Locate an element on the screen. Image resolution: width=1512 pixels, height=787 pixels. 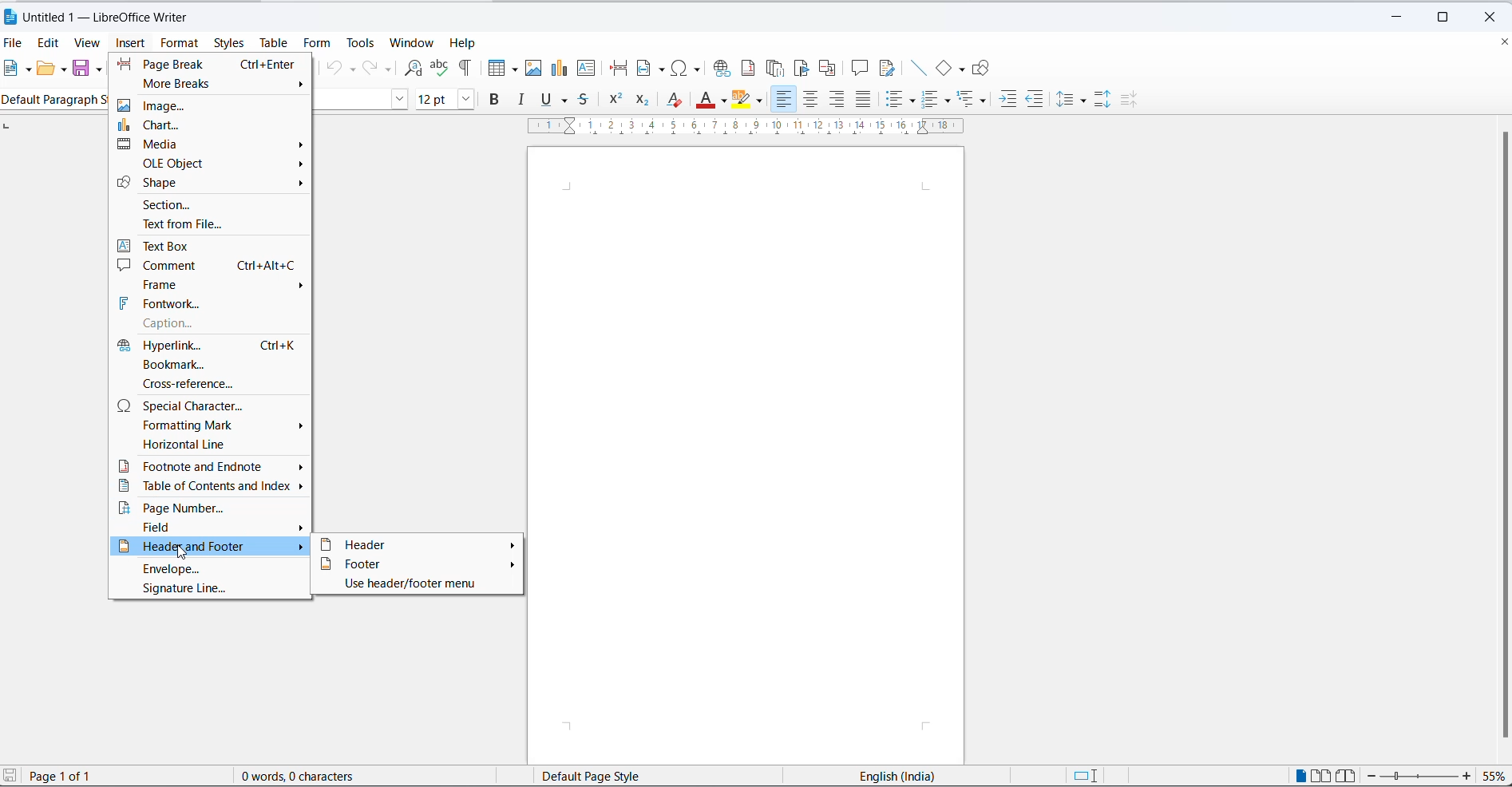
minimize is located at coordinates (1393, 18).